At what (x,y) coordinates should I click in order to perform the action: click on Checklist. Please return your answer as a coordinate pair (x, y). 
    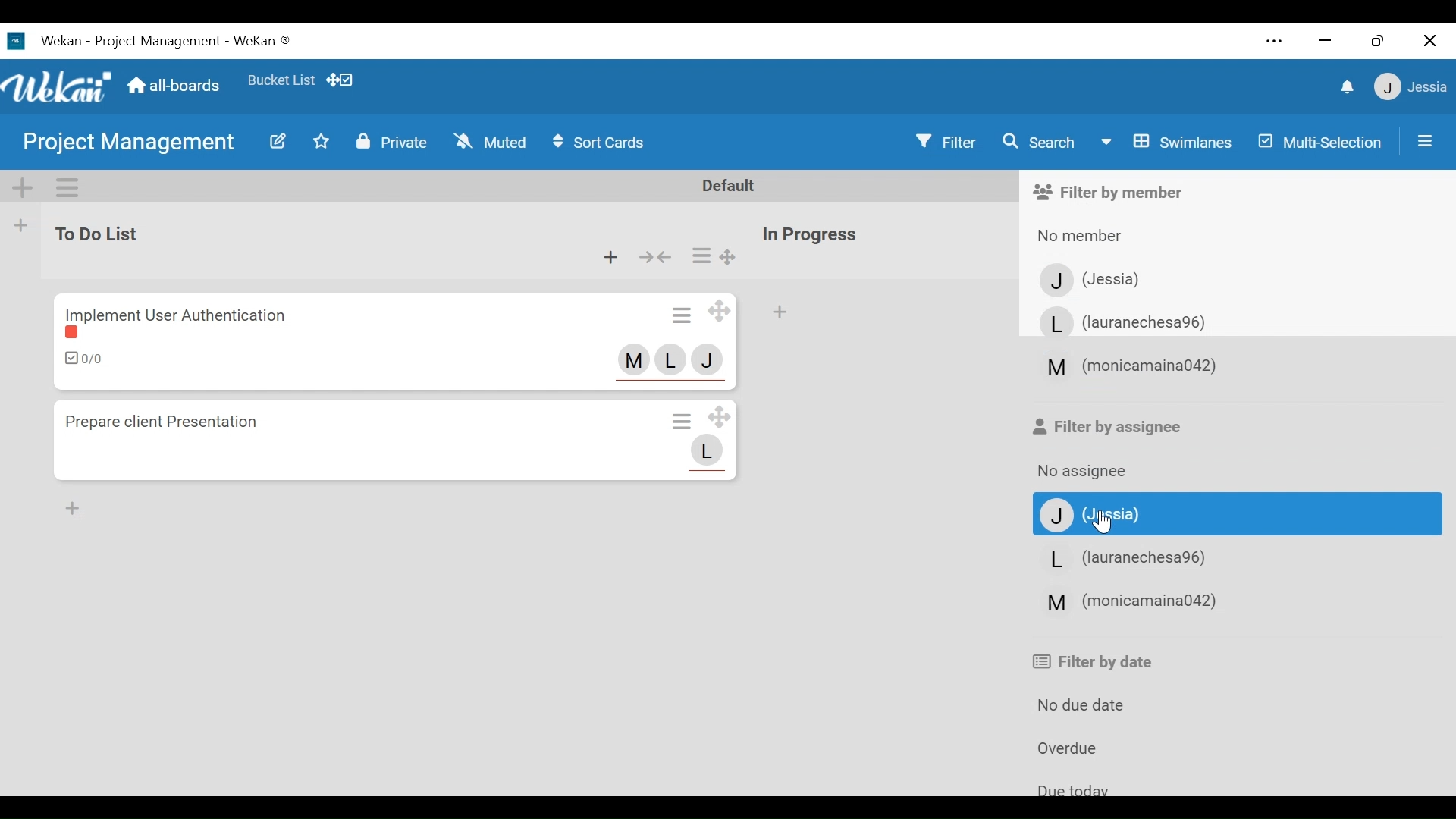
    Looking at the image, I should click on (85, 359).